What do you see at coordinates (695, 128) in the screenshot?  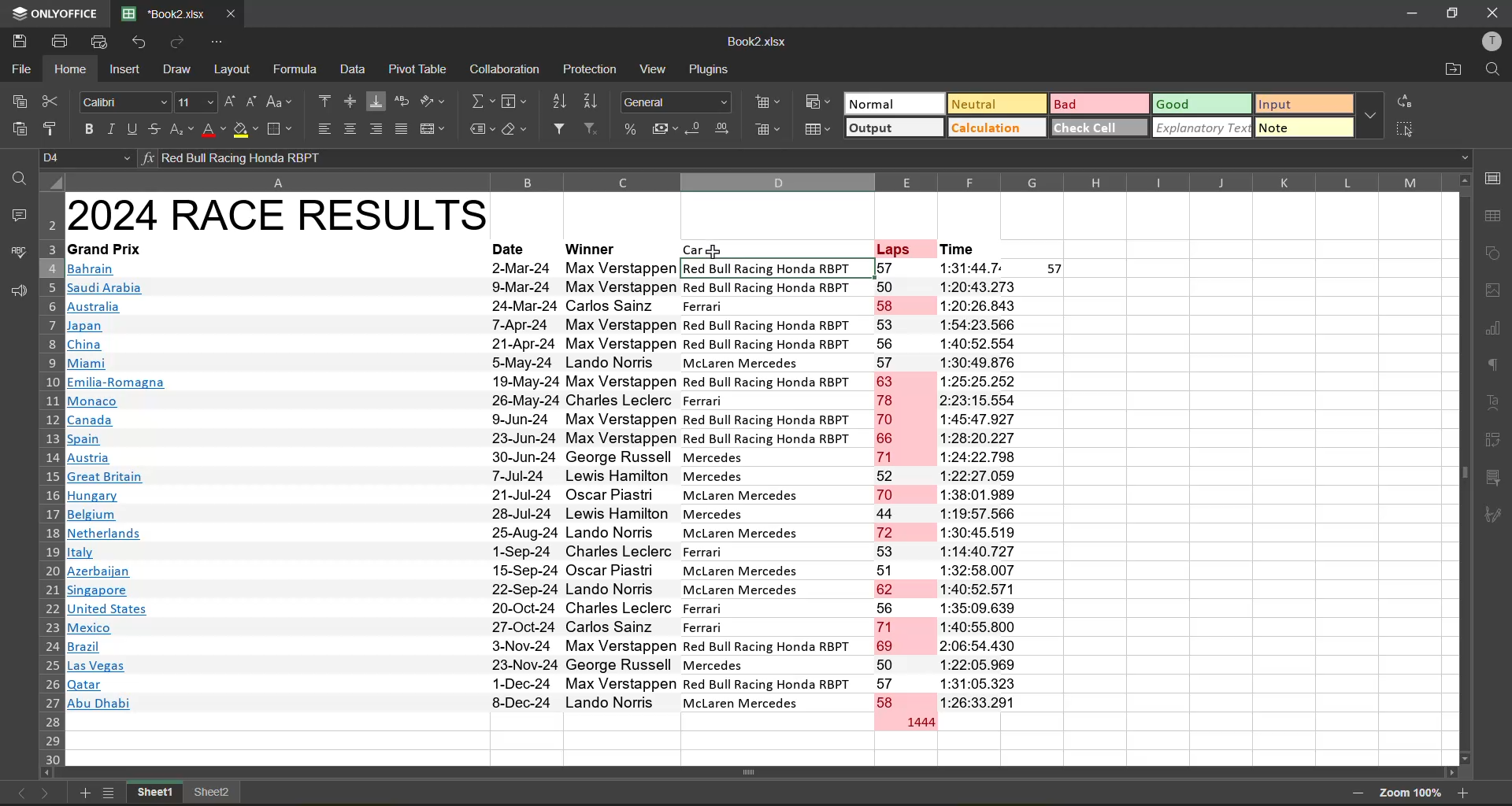 I see `decrease decimal` at bounding box center [695, 128].